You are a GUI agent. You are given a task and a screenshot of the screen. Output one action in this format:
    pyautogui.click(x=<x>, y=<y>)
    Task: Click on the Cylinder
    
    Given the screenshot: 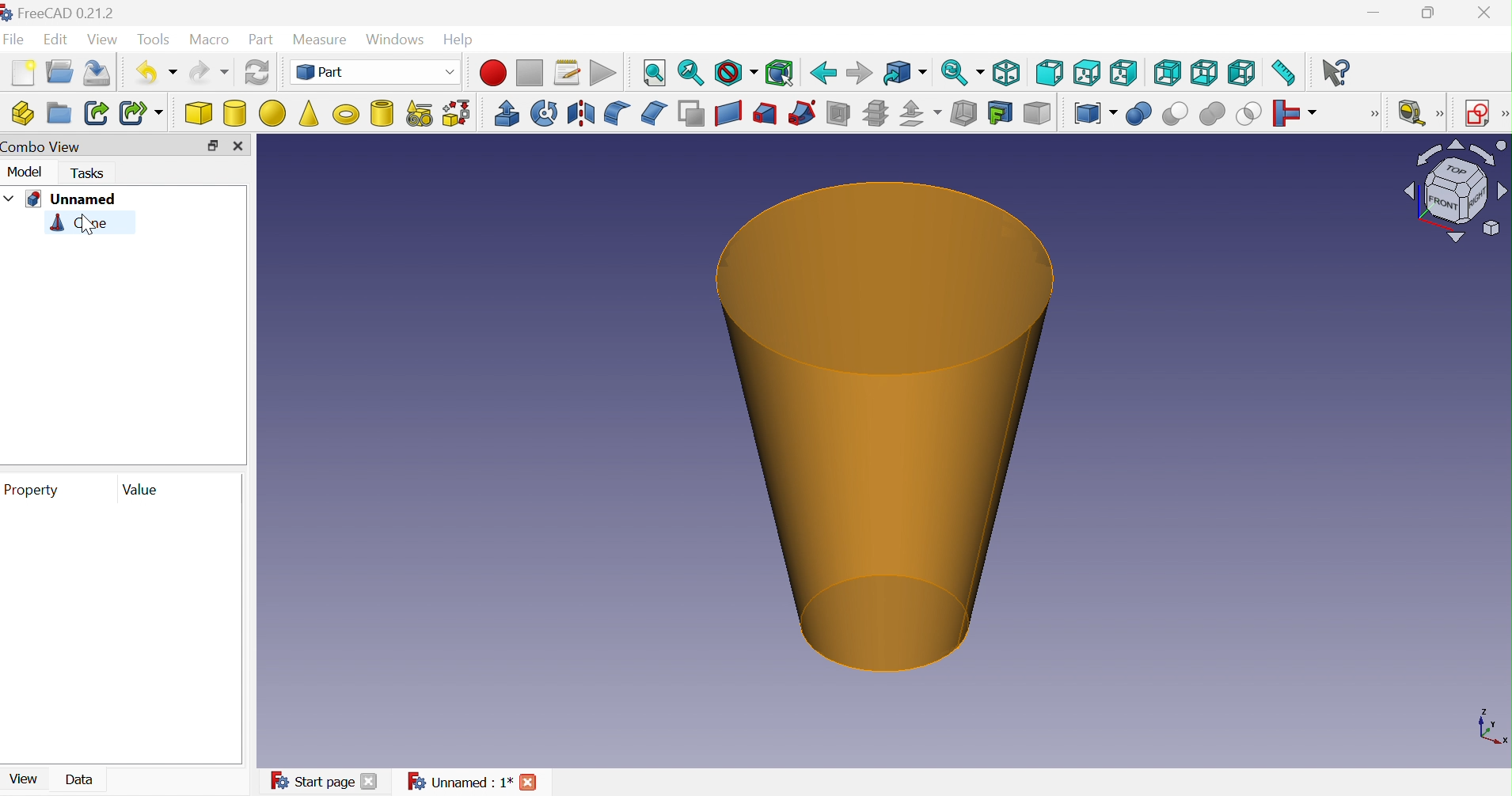 What is the action you would take?
    pyautogui.click(x=234, y=115)
    